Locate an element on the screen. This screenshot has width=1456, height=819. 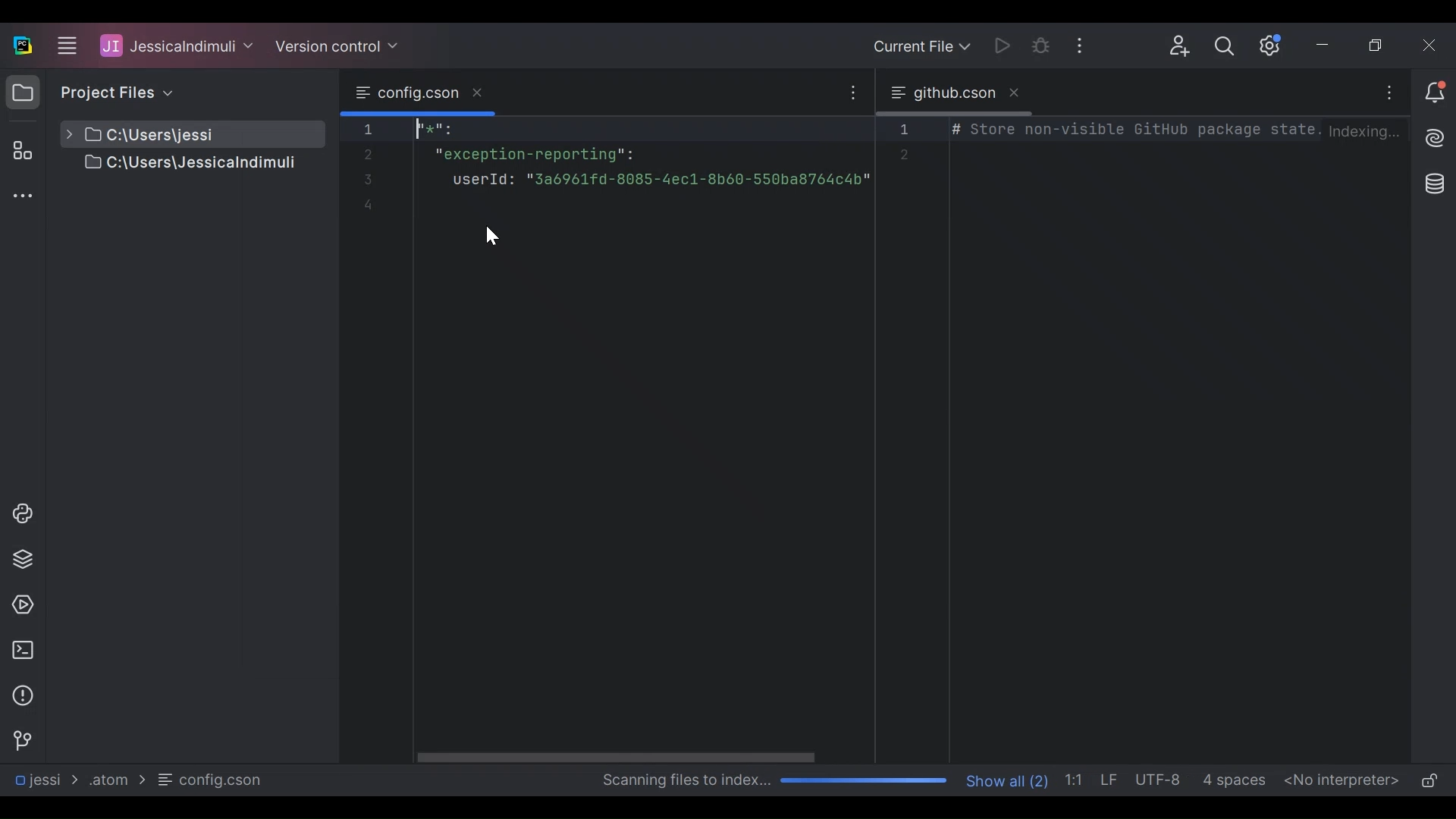
Minimize is located at coordinates (1329, 45).